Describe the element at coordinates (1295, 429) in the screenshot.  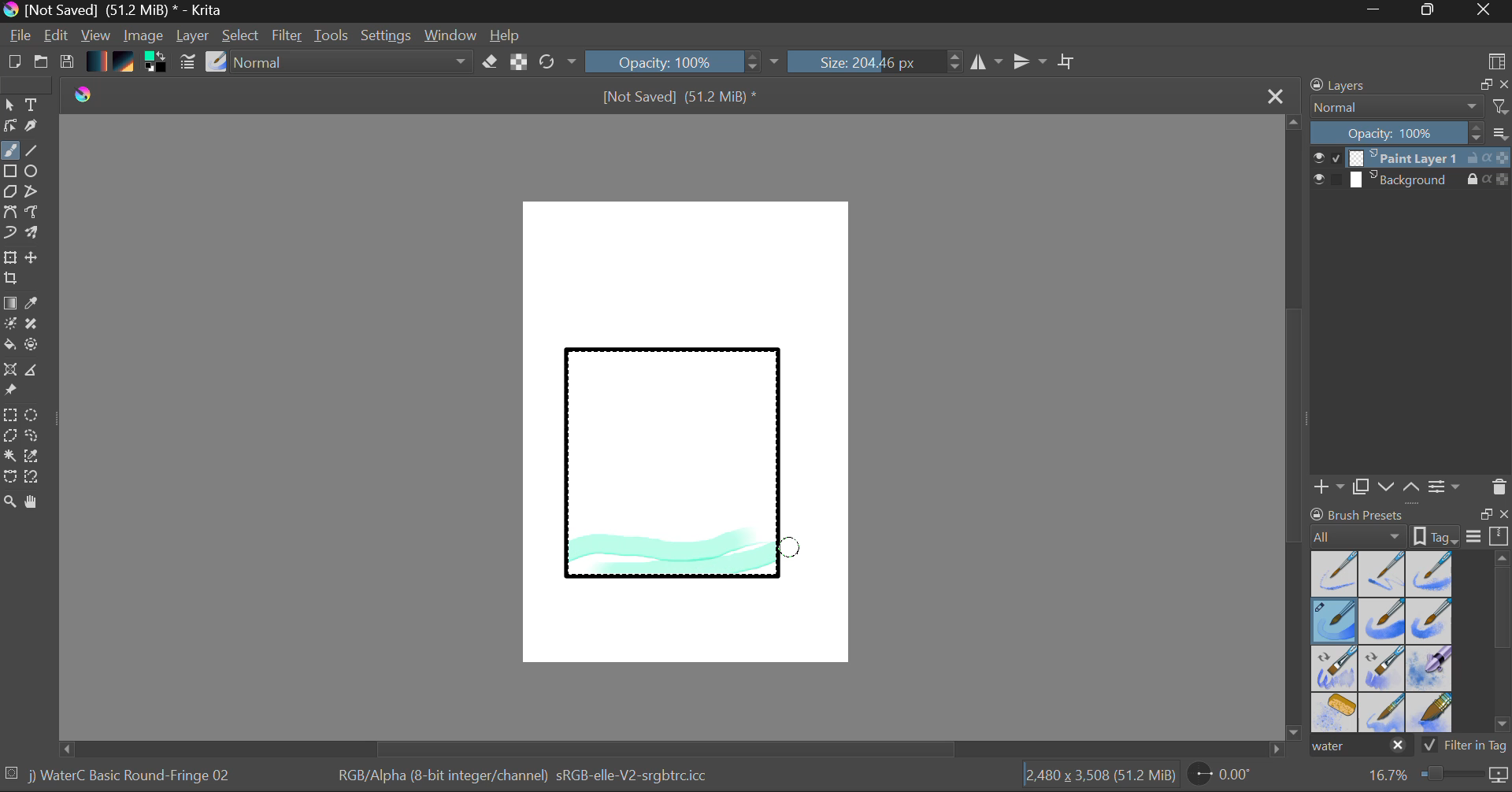
I see `Scroll Bar` at that location.